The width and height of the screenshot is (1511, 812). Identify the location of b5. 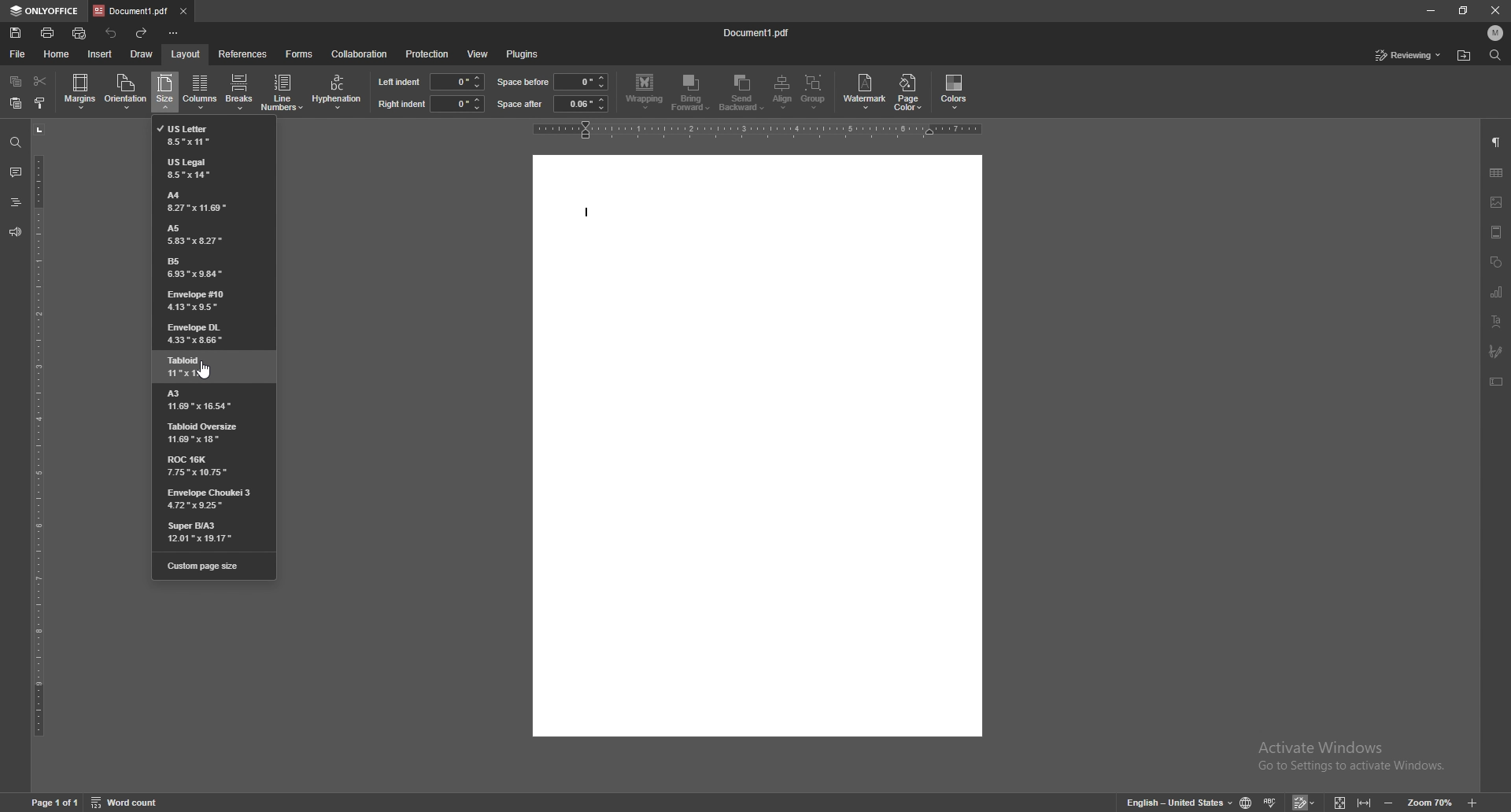
(209, 268).